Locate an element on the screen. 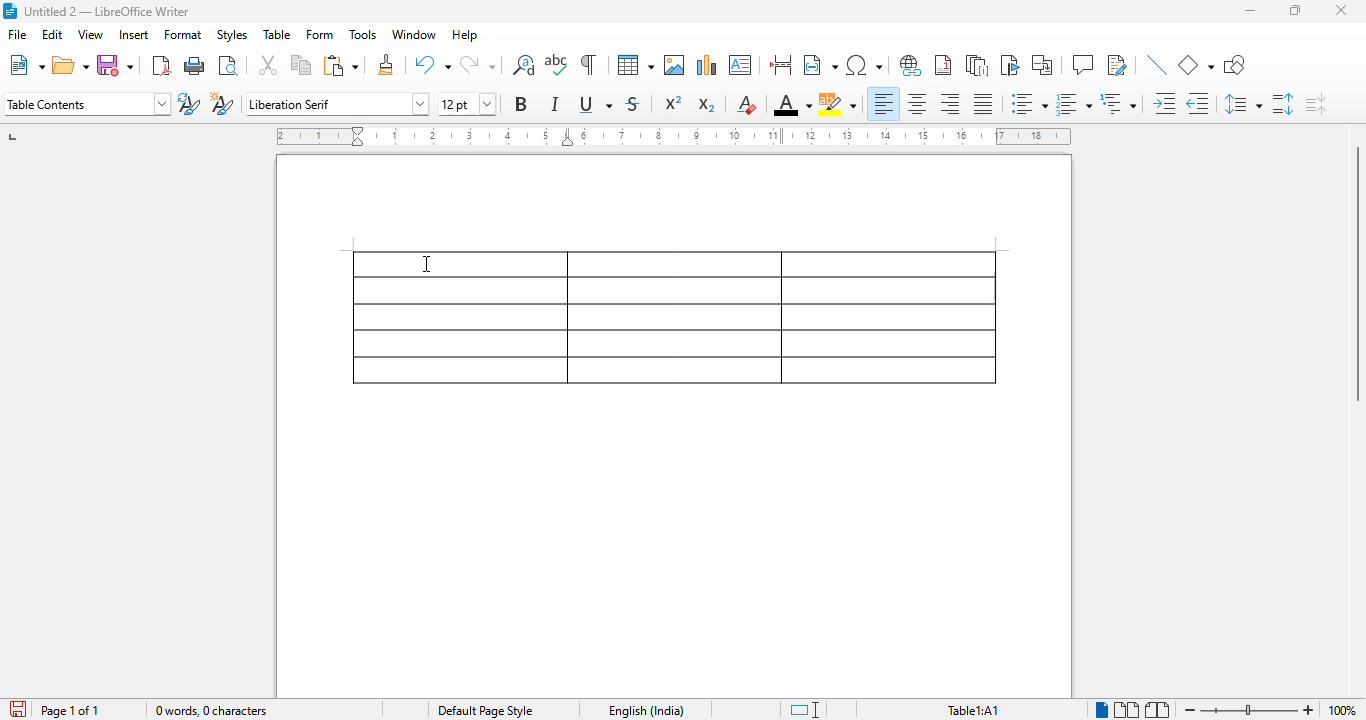 Image resolution: width=1366 pixels, height=720 pixels. insert text box is located at coordinates (740, 65).